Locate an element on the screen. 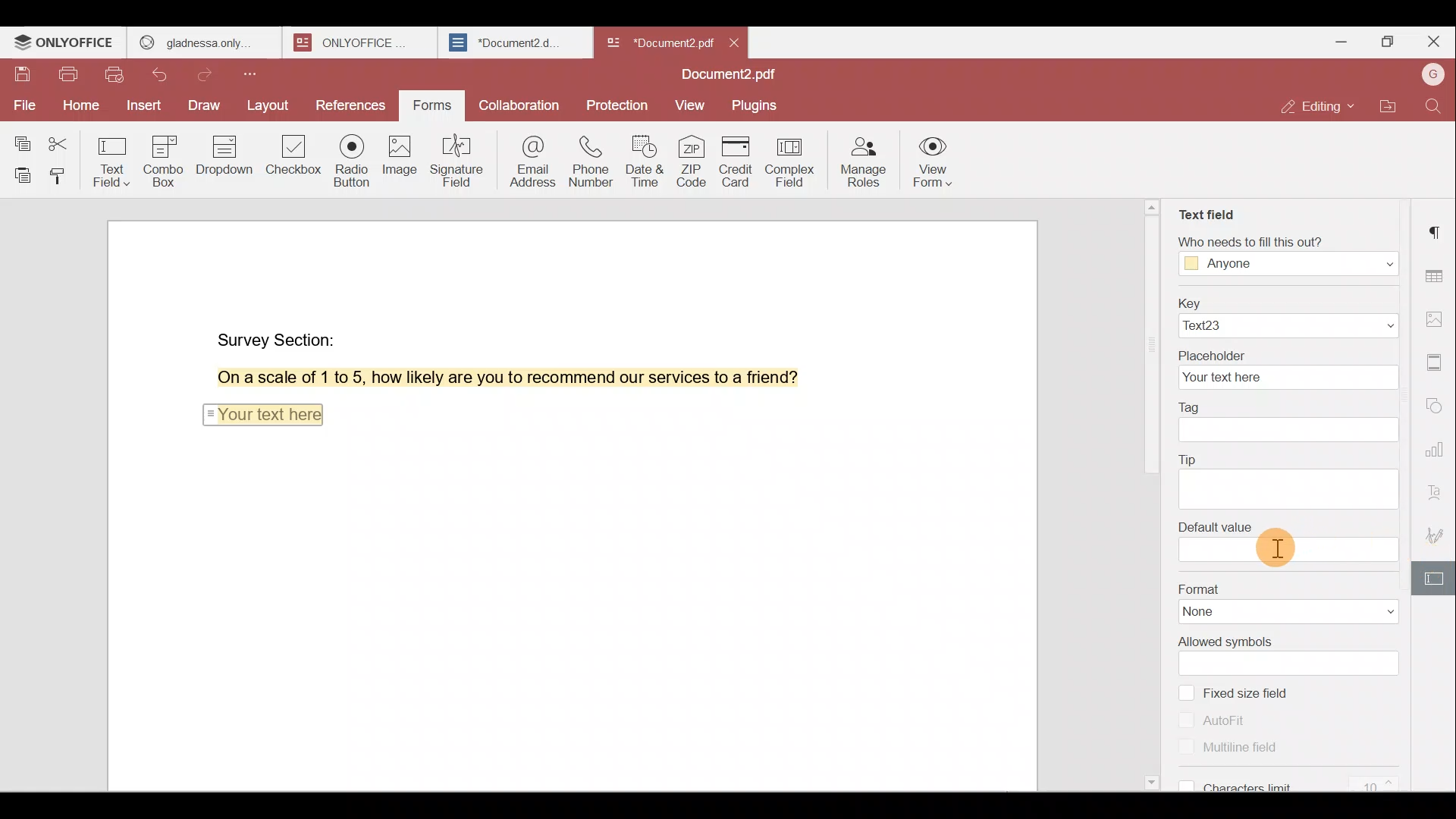 This screenshot has width=1456, height=819. Collaboration is located at coordinates (517, 104).